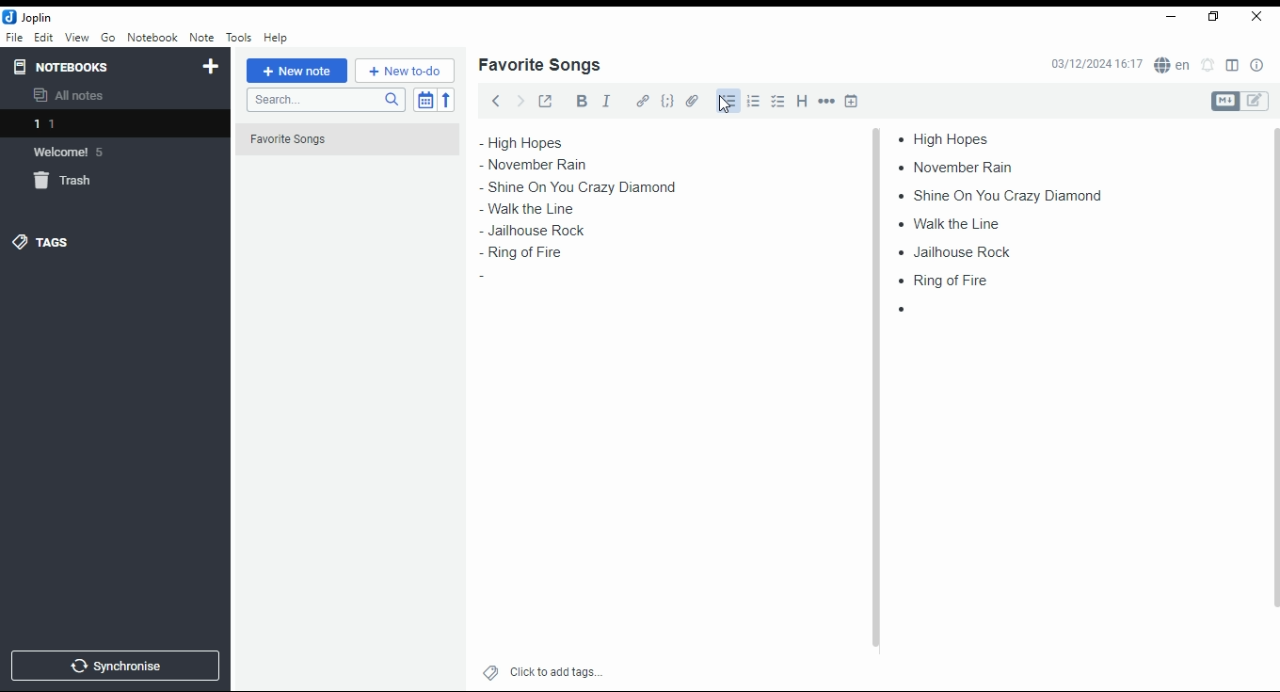  Describe the element at coordinates (30, 17) in the screenshot. I see `icon` at that location.